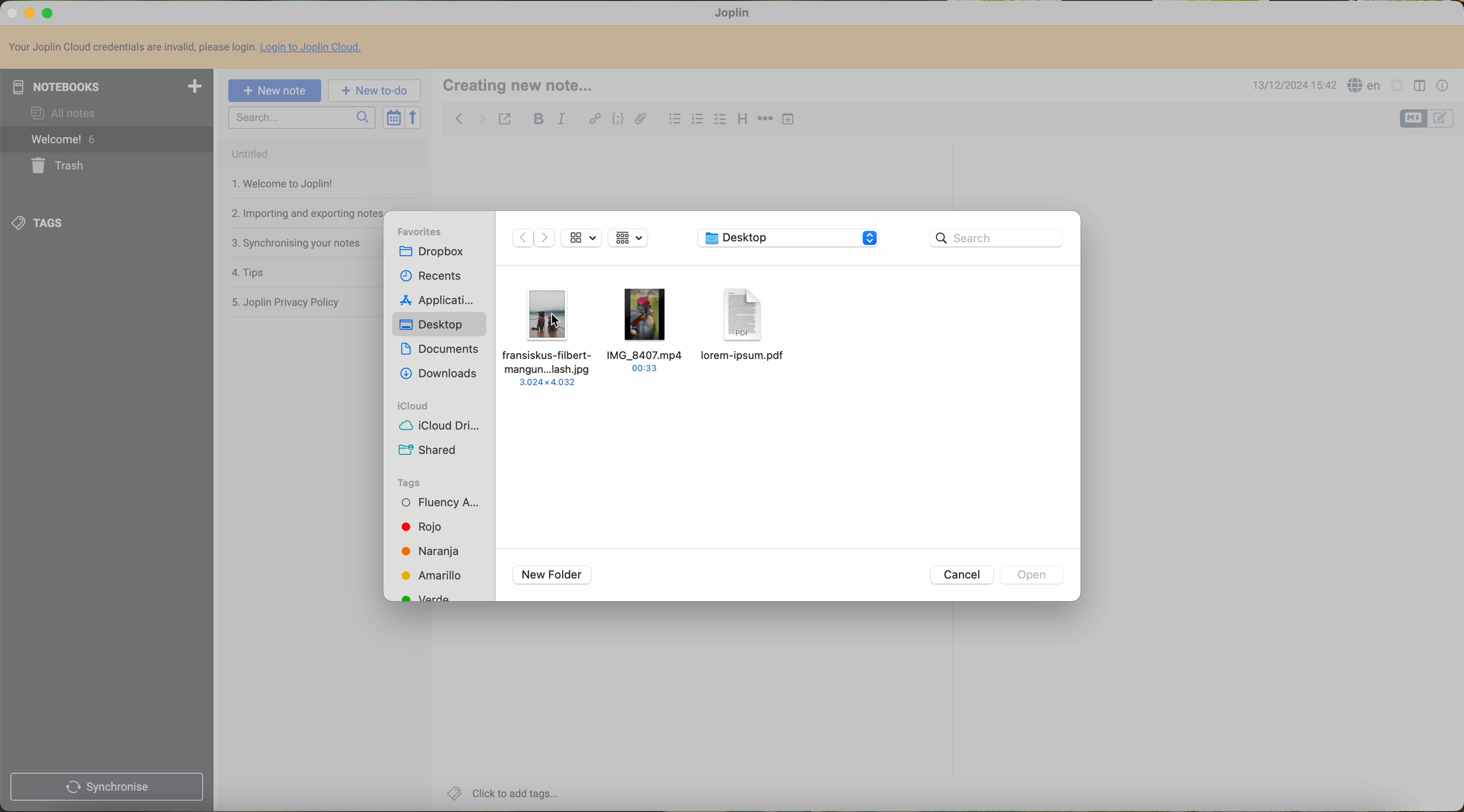  Describe the element at coordinates (459, 118) in the screenshot. I see `navigate back note` at that location.